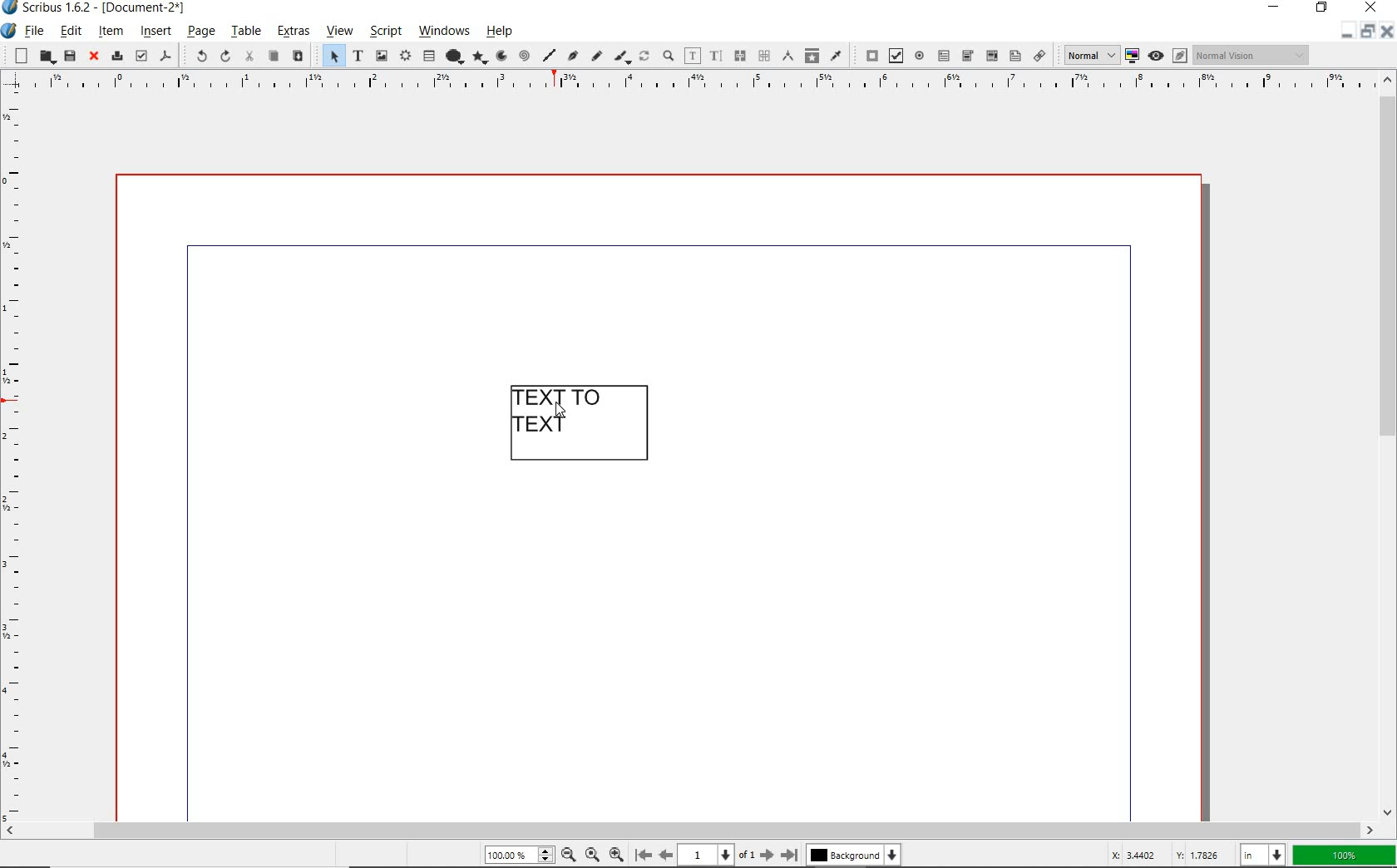 The image size is (1397, 868). What do you see at coordinates (200, 33) in the screenshot?
I see `page` at bounding box center [200, 33].